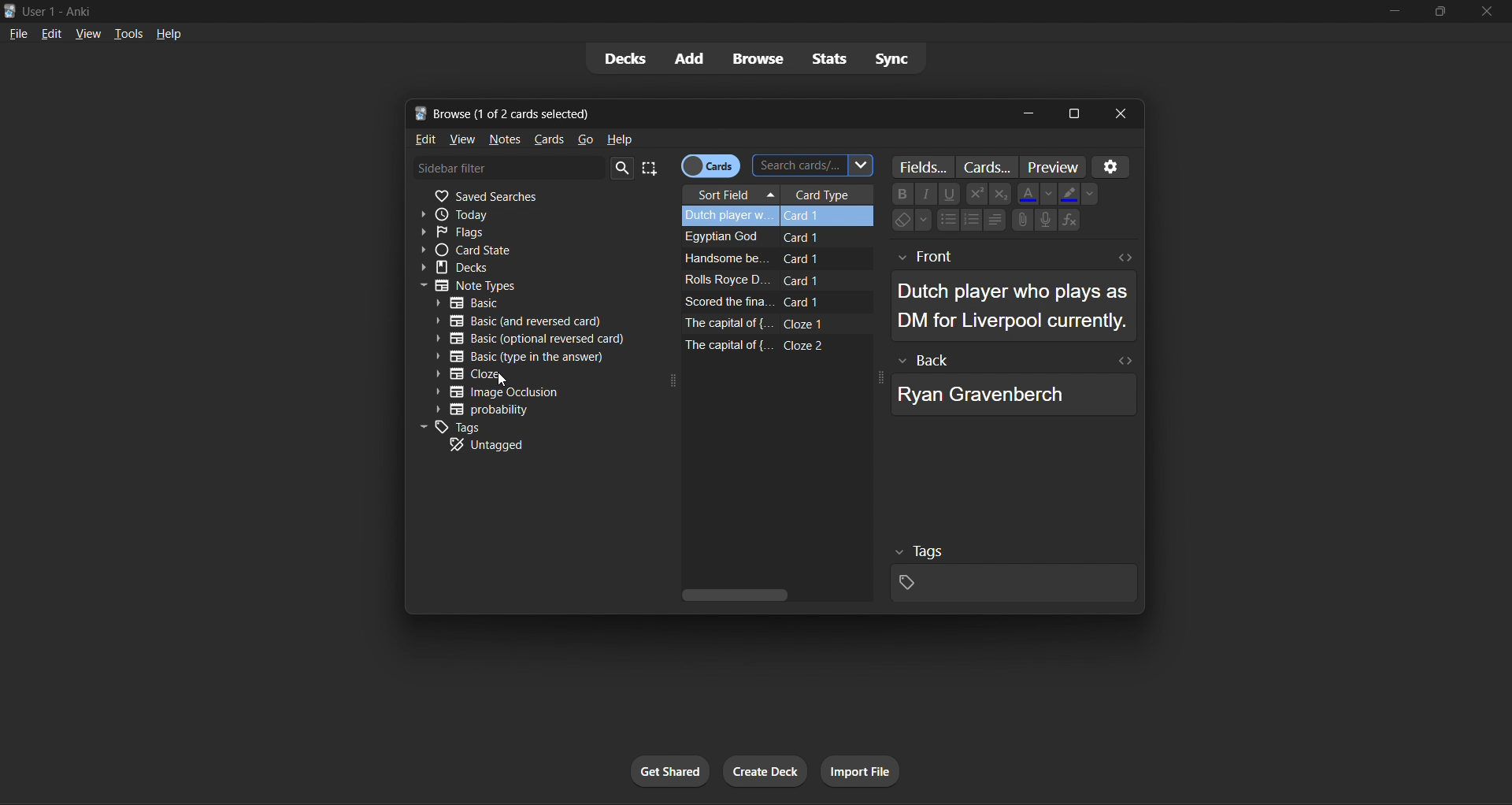  What do you see at coordinates (708, 114) in the screenshot?
I see `new tab name` at bounding box center [708, 114].